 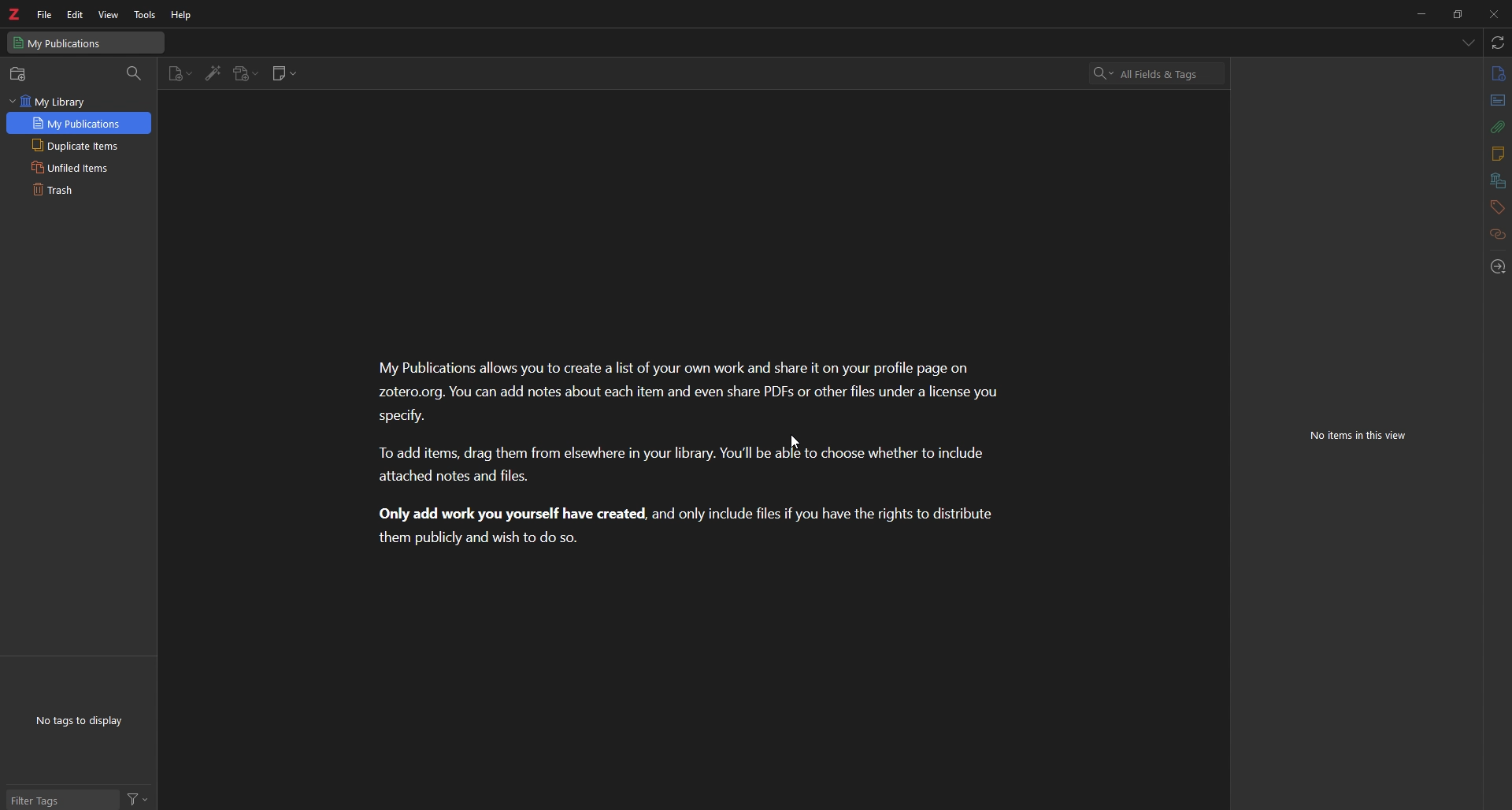 I want to click on My Library, so click(x=54, y=103).